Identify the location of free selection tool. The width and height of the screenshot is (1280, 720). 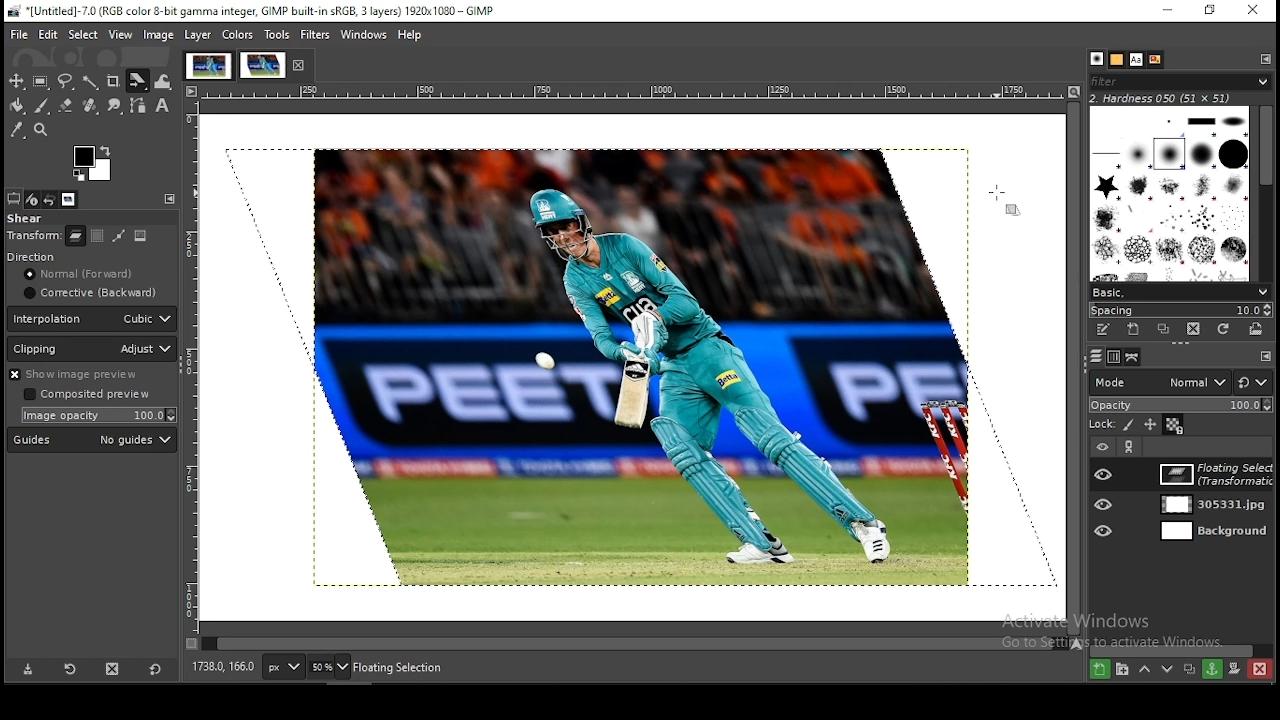
(66, 82).